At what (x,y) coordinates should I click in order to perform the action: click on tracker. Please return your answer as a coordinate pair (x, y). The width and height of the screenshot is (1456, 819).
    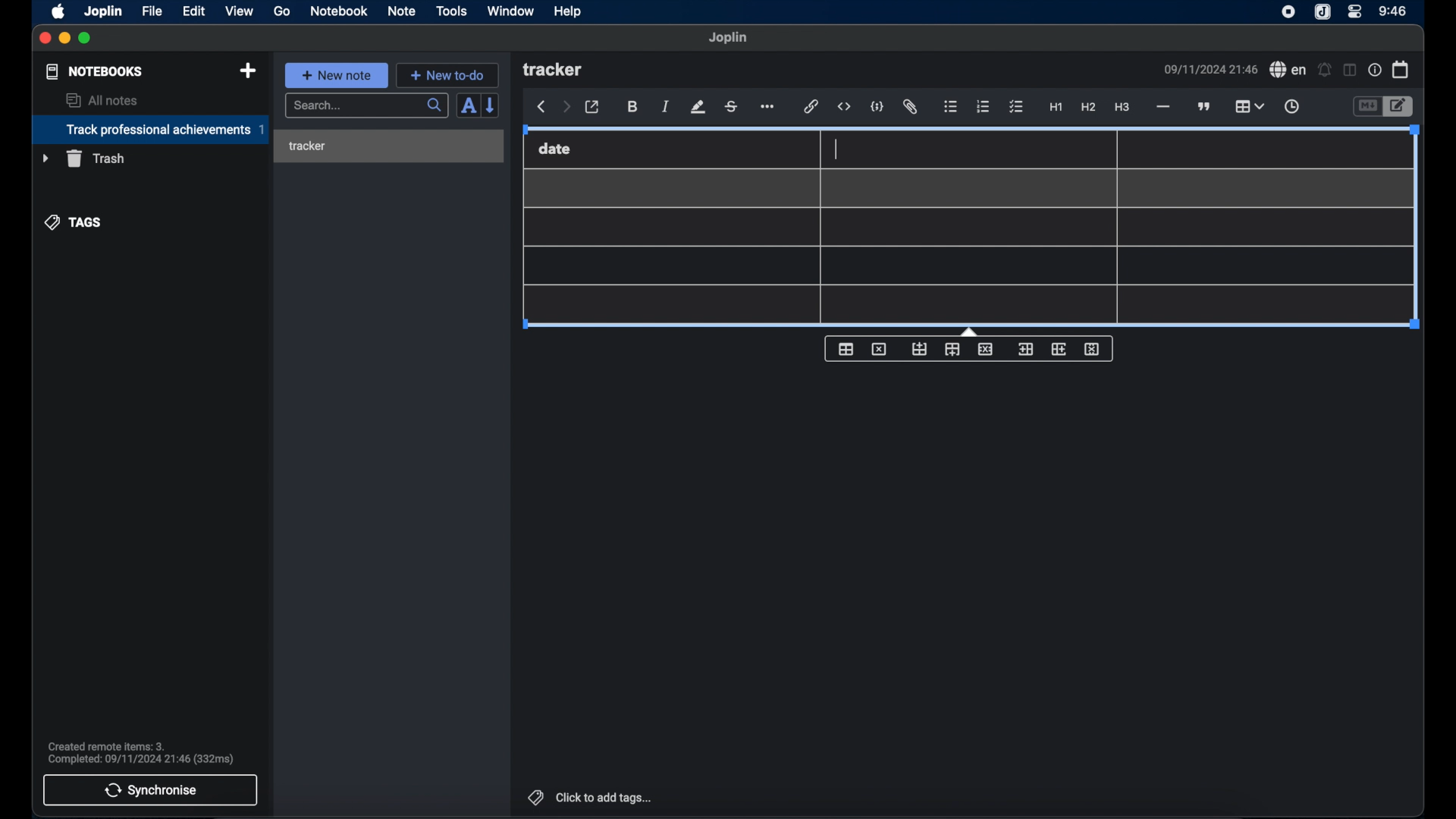
    Looking at the image, I should click on (307, 146).